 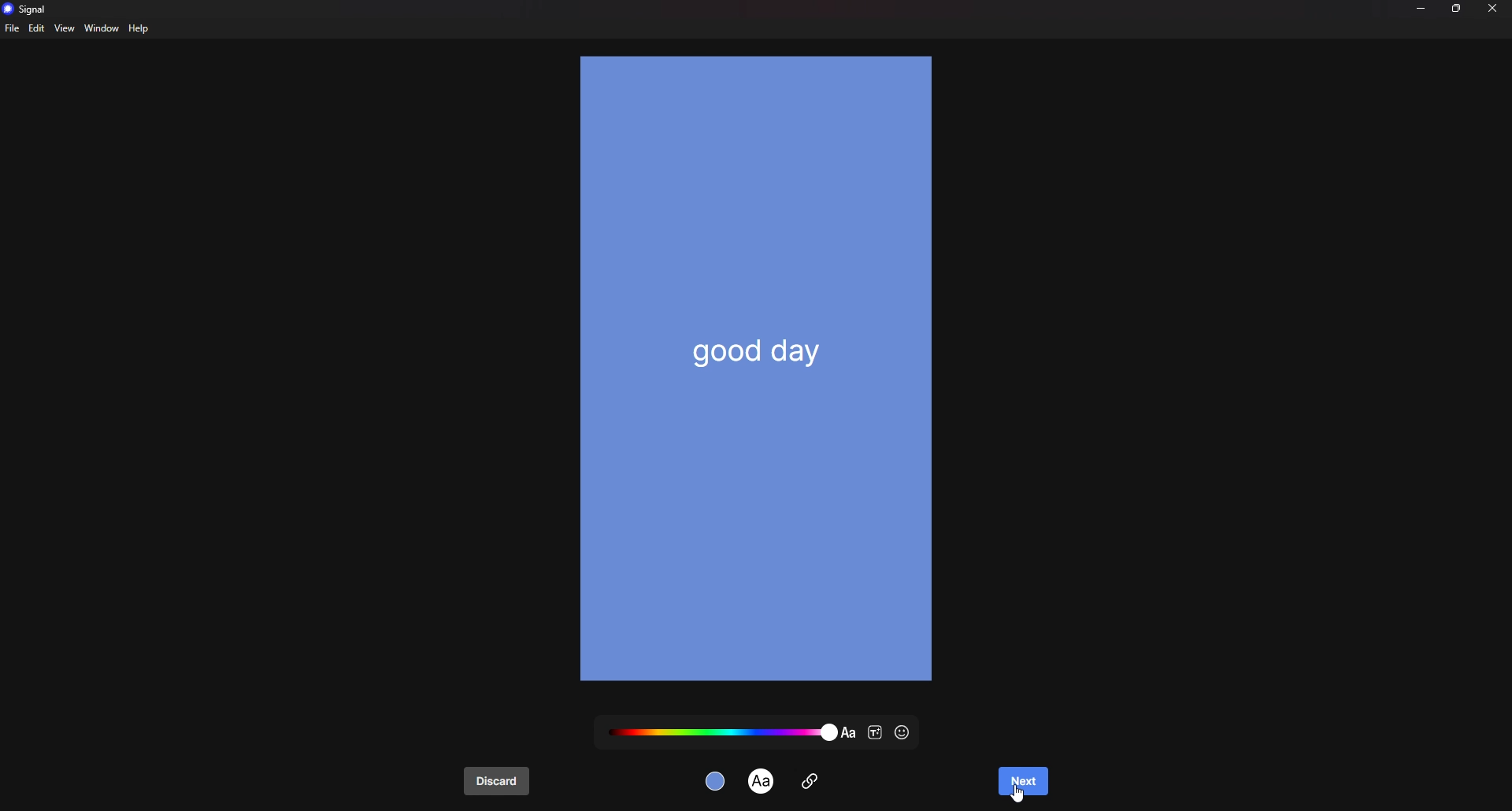 I want to click on text, so click(x=849, y=733).